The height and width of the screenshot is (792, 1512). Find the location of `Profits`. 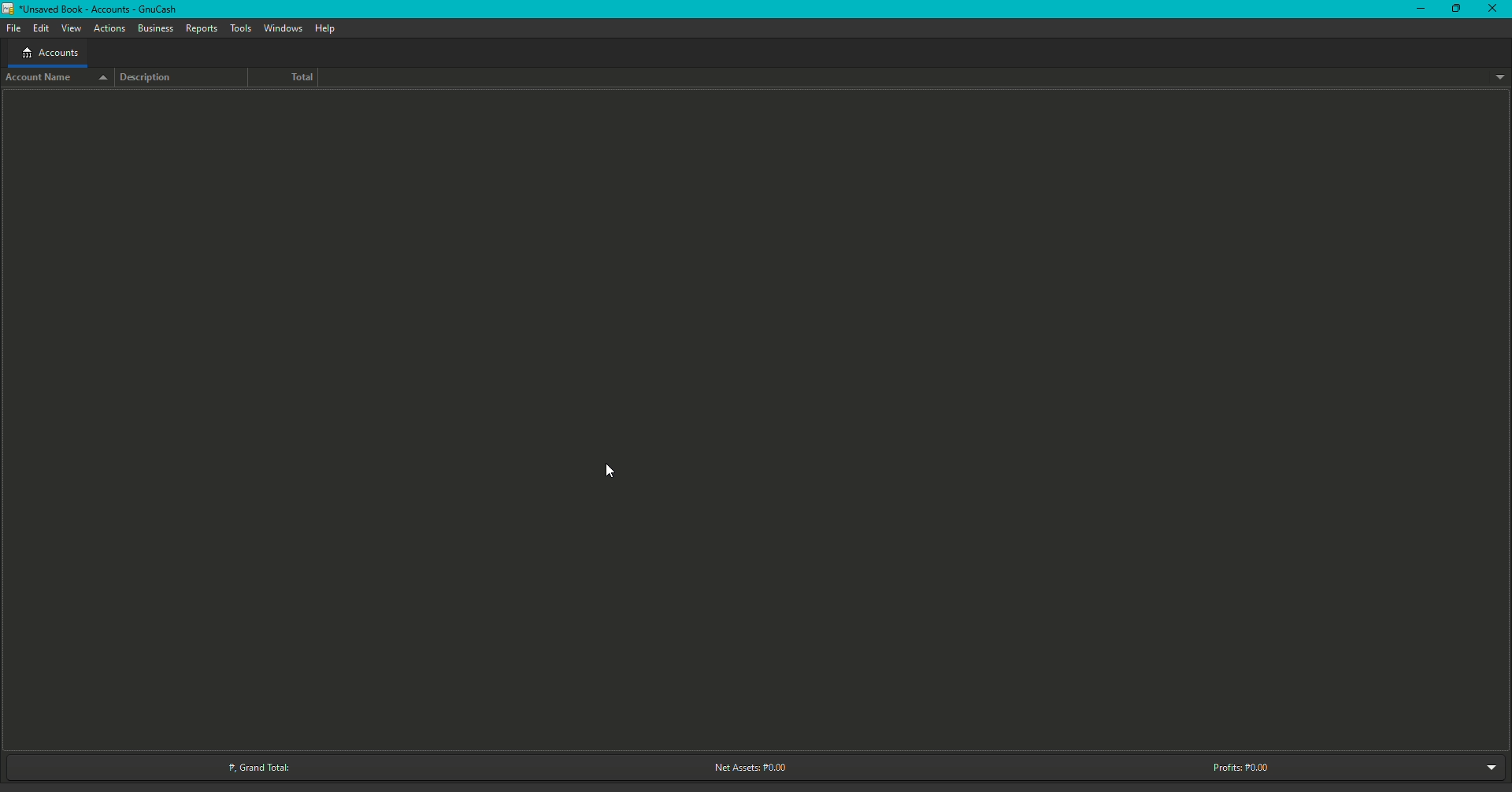

Profits is located at coordinates (1241, 766).